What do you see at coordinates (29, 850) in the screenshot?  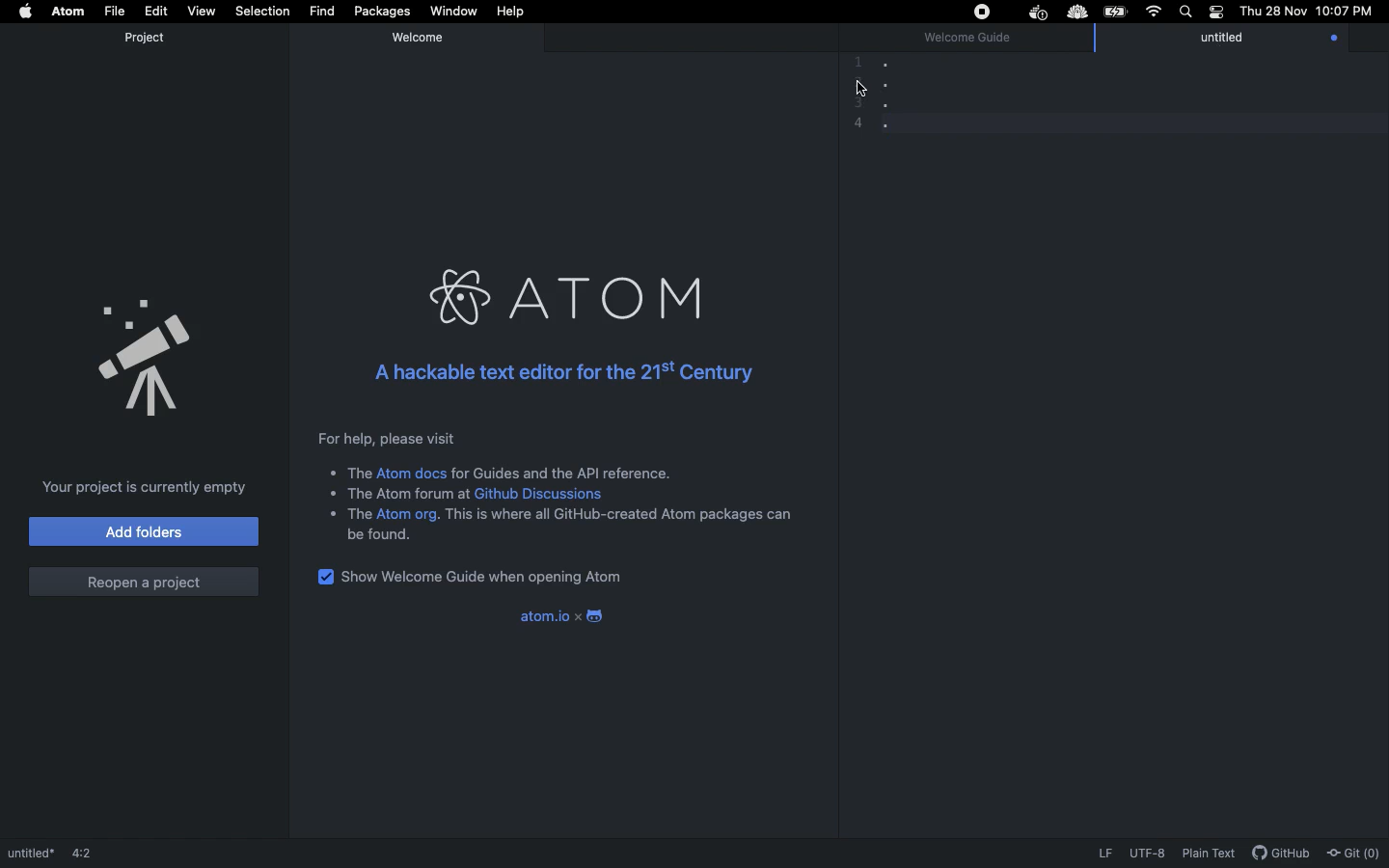 I see `untitled*` at bounding box center [29, 850].